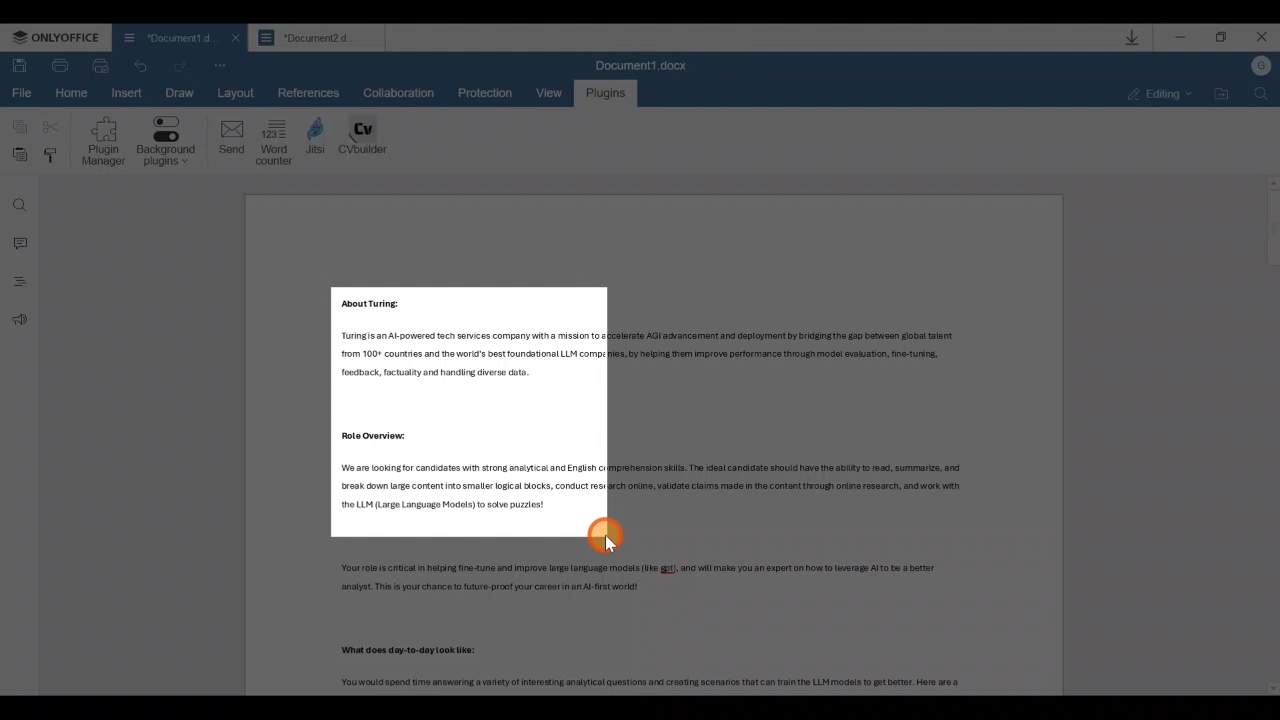 Image resolution: width=1280 pixels, height=720 pixels. What do you see at coordinates (396, 91) in the screenshot?
I see `Collaboration` at bounding box center [396, 91].